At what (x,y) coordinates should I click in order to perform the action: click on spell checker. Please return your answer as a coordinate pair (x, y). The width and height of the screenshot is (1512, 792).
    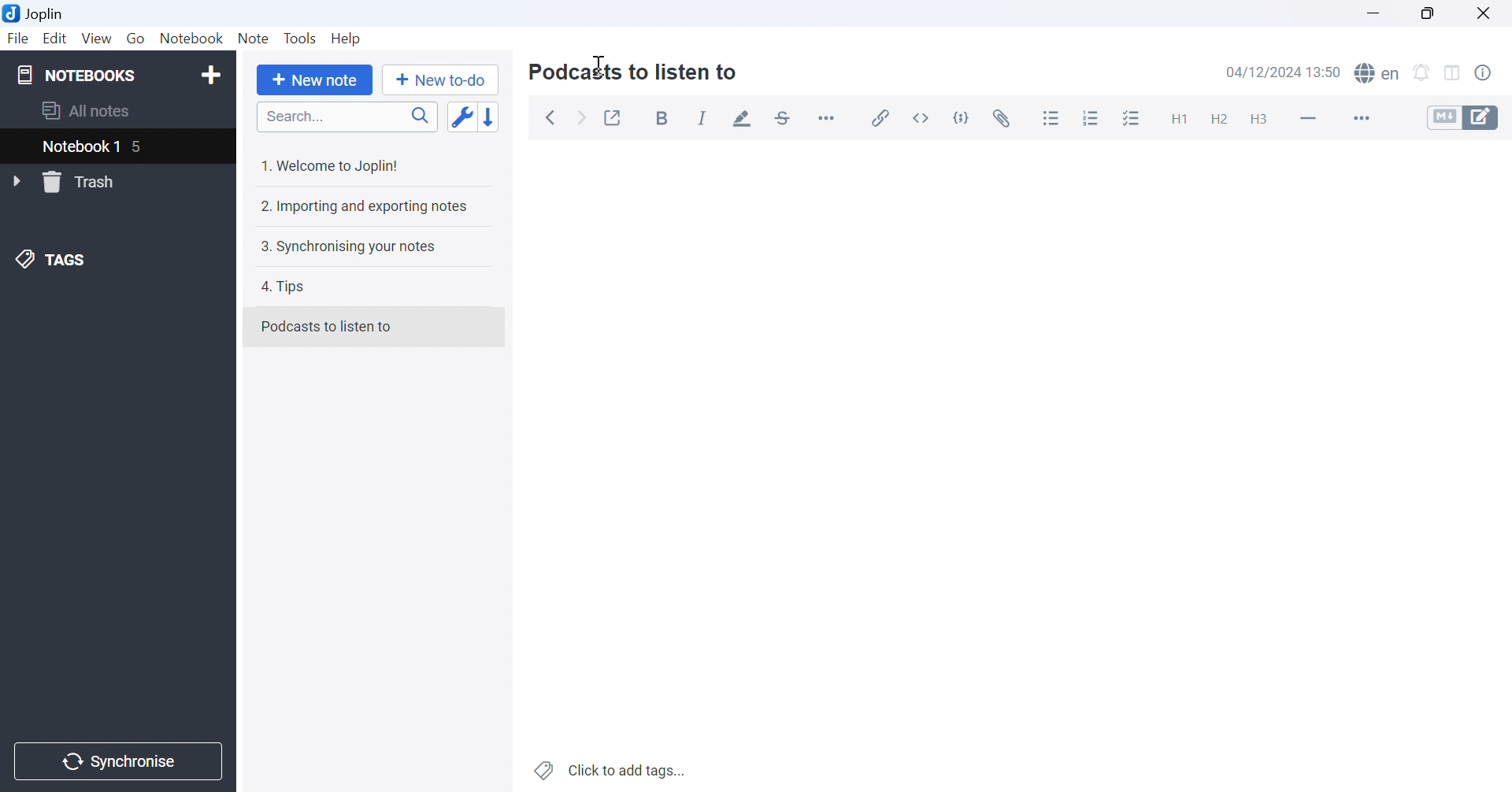
    Looking at the image, I should click on (1381, 74).